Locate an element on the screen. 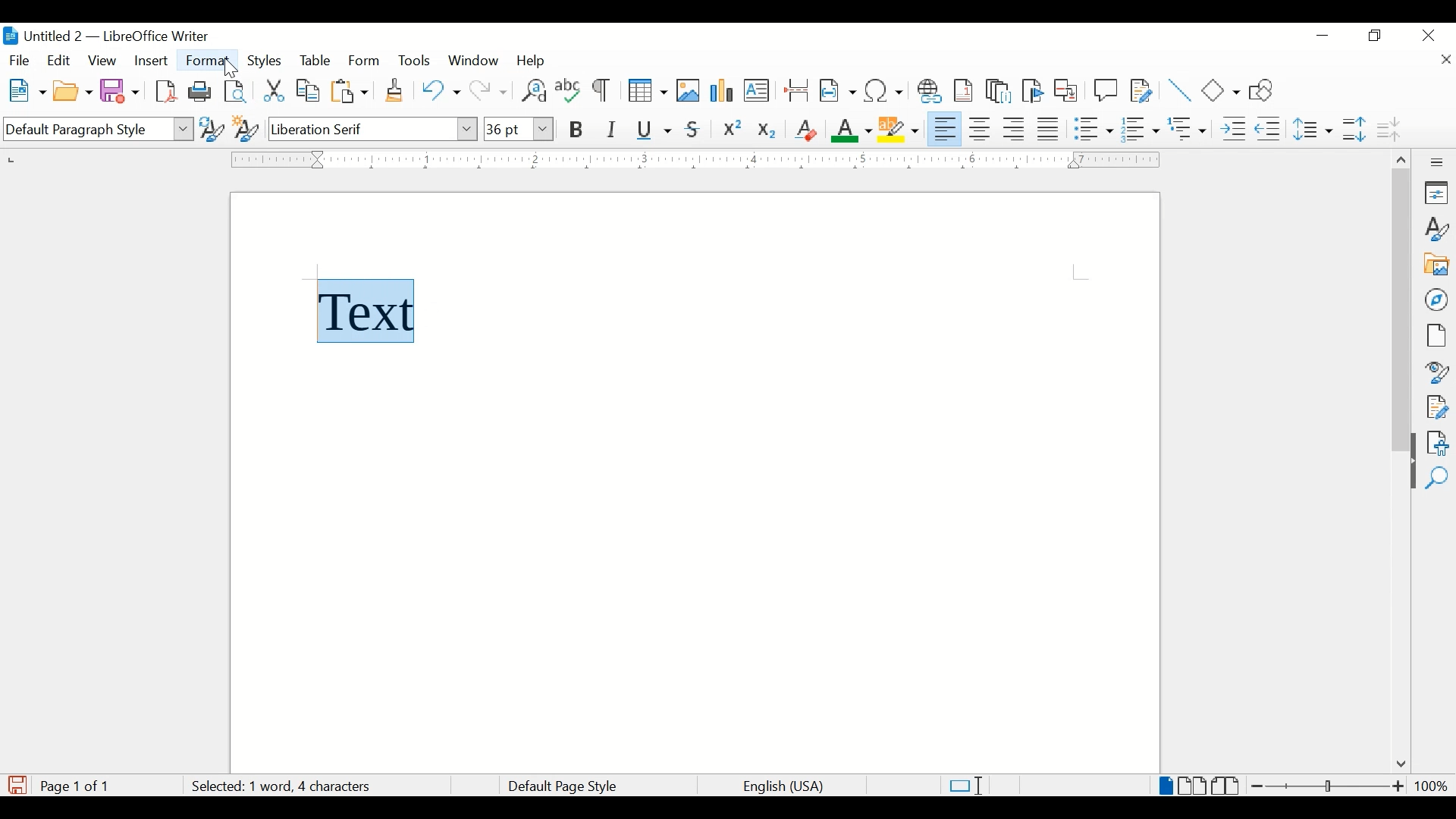  close is located at coordinates (1429, 34).